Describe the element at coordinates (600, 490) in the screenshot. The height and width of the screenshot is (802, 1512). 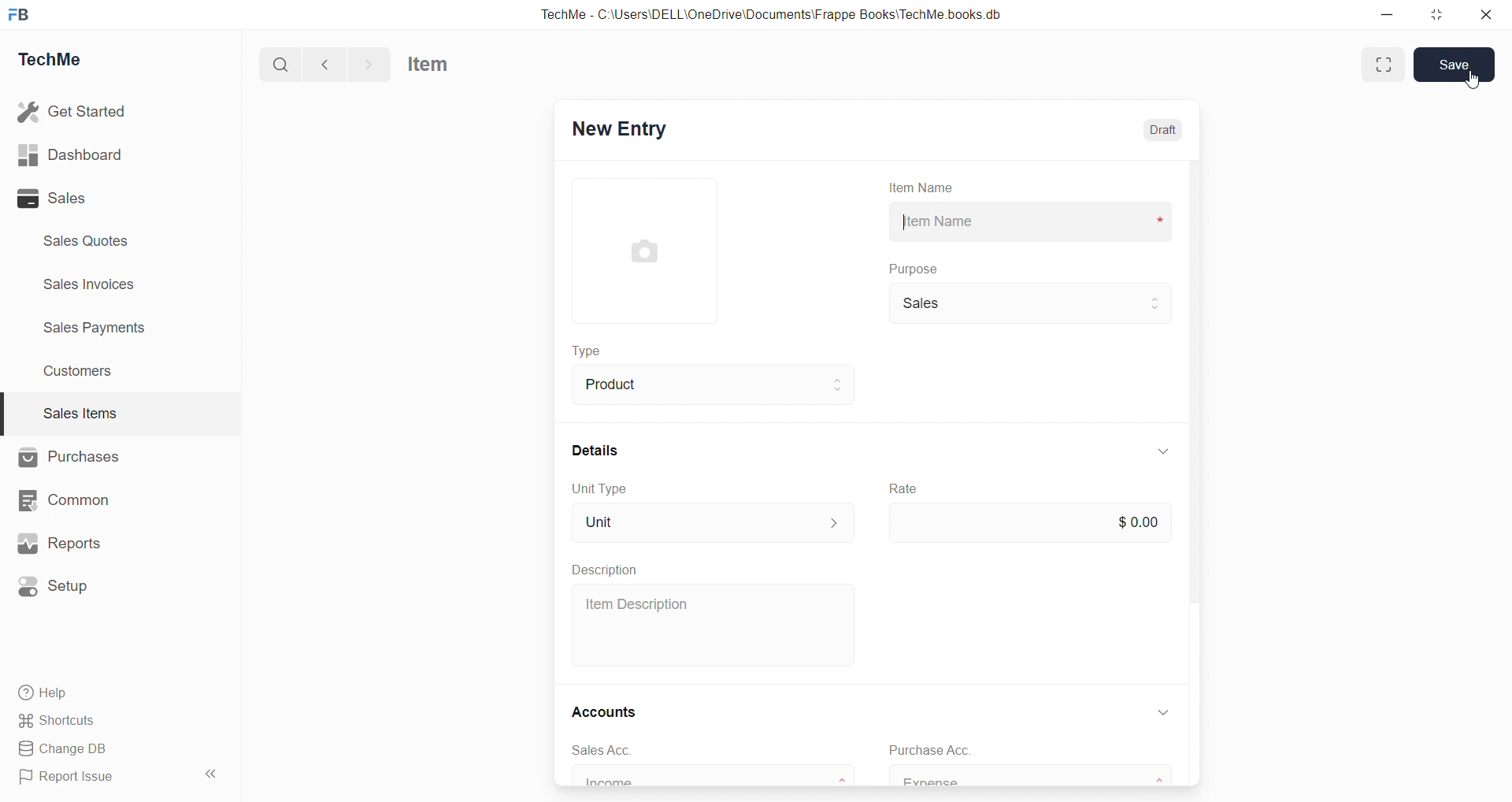
I see `Unit Type` at that location.